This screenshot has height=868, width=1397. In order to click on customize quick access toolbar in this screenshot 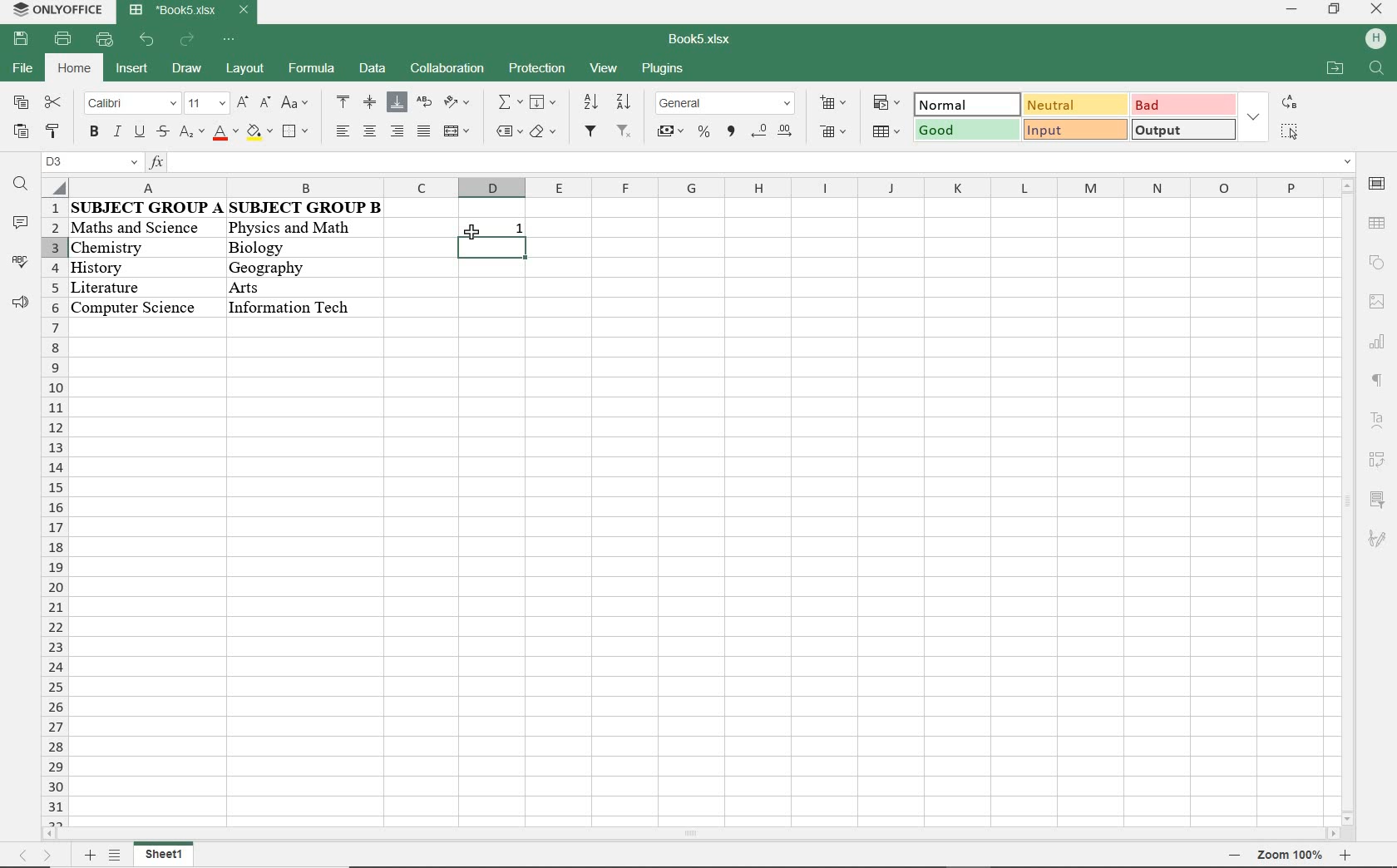, I will do `click(230, 40)`.